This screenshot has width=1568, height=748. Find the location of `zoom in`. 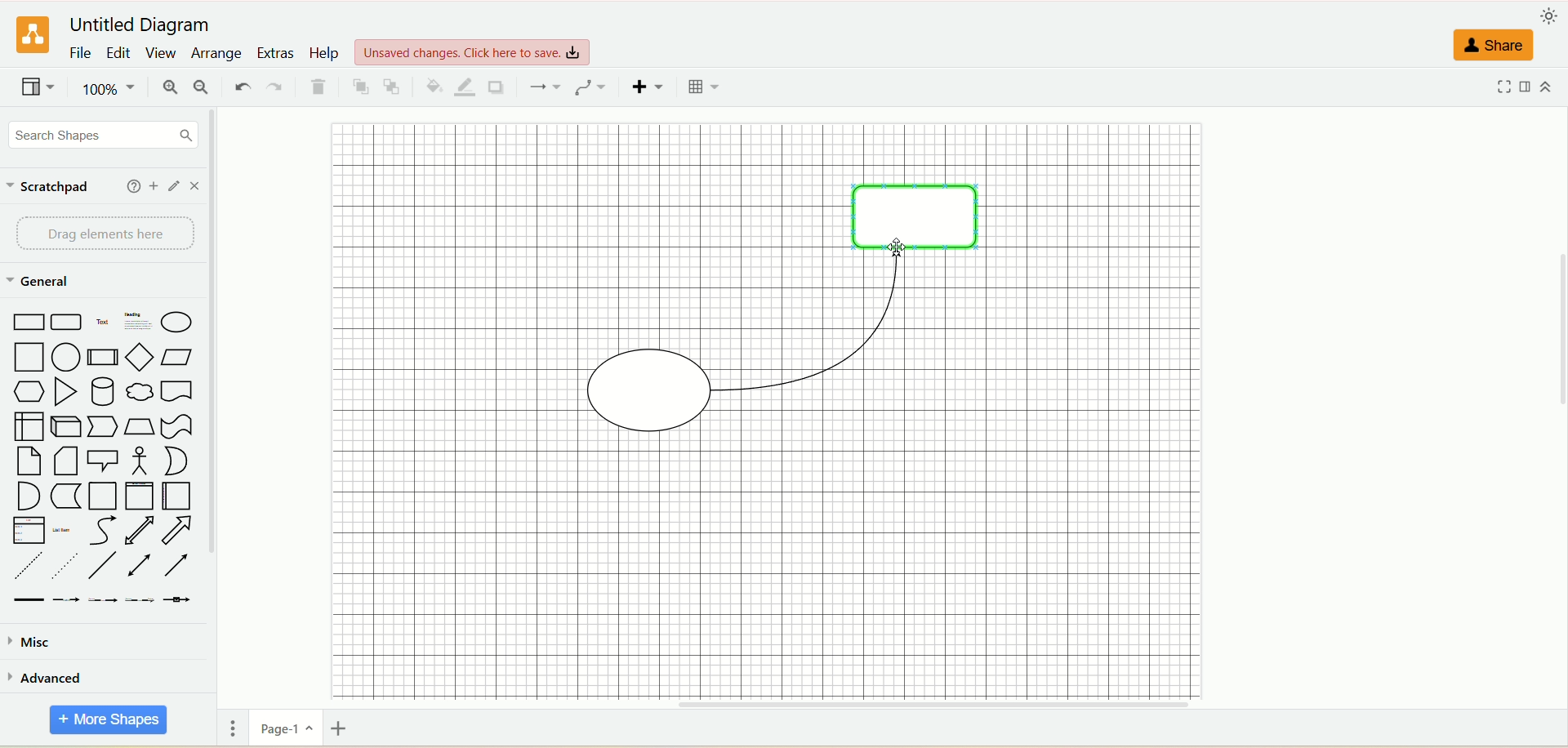

zoom in is located at coordinates (170, 89).